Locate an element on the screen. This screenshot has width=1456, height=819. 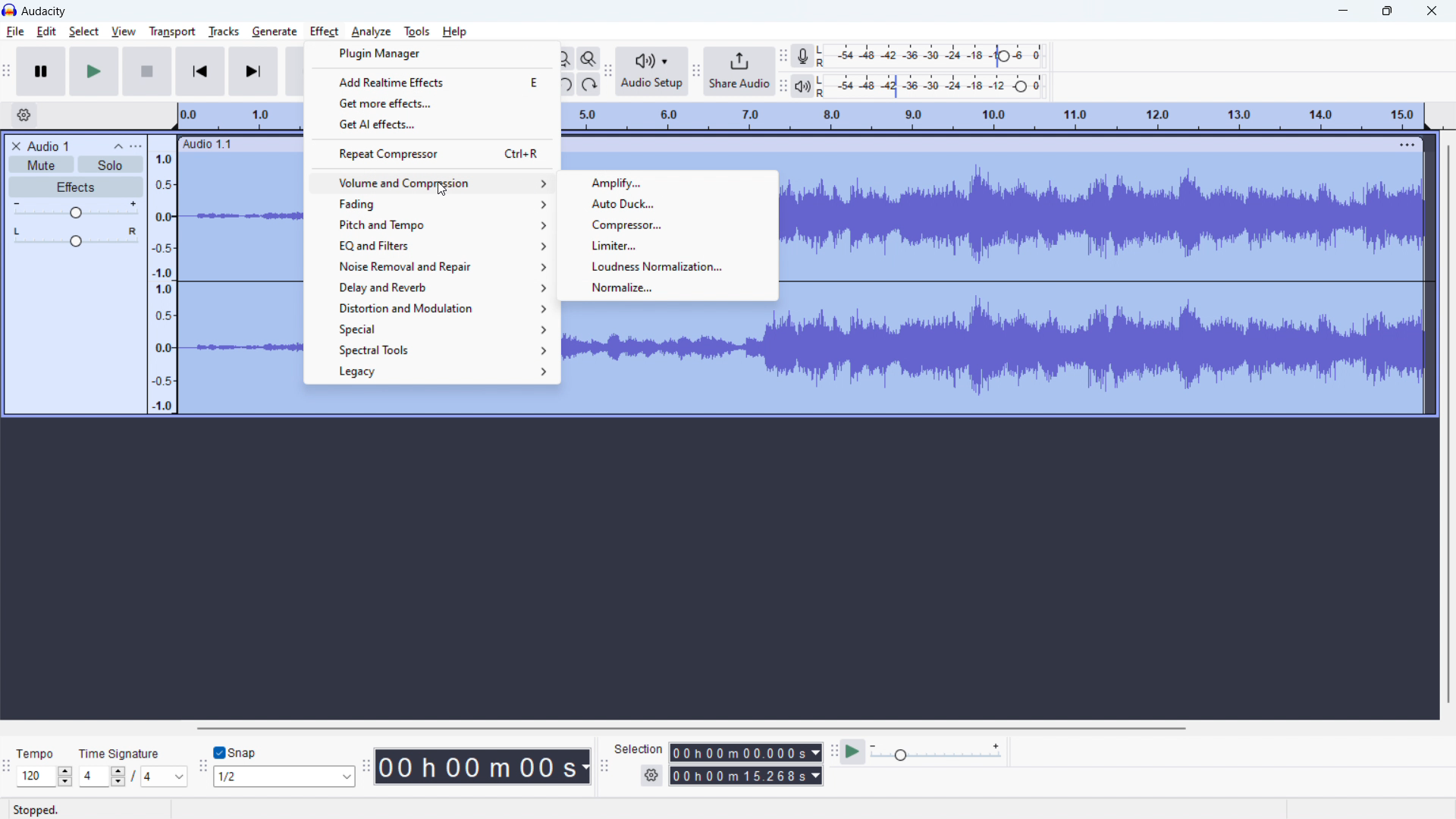
add realtime effects    E is located at coordinates (432, 81).